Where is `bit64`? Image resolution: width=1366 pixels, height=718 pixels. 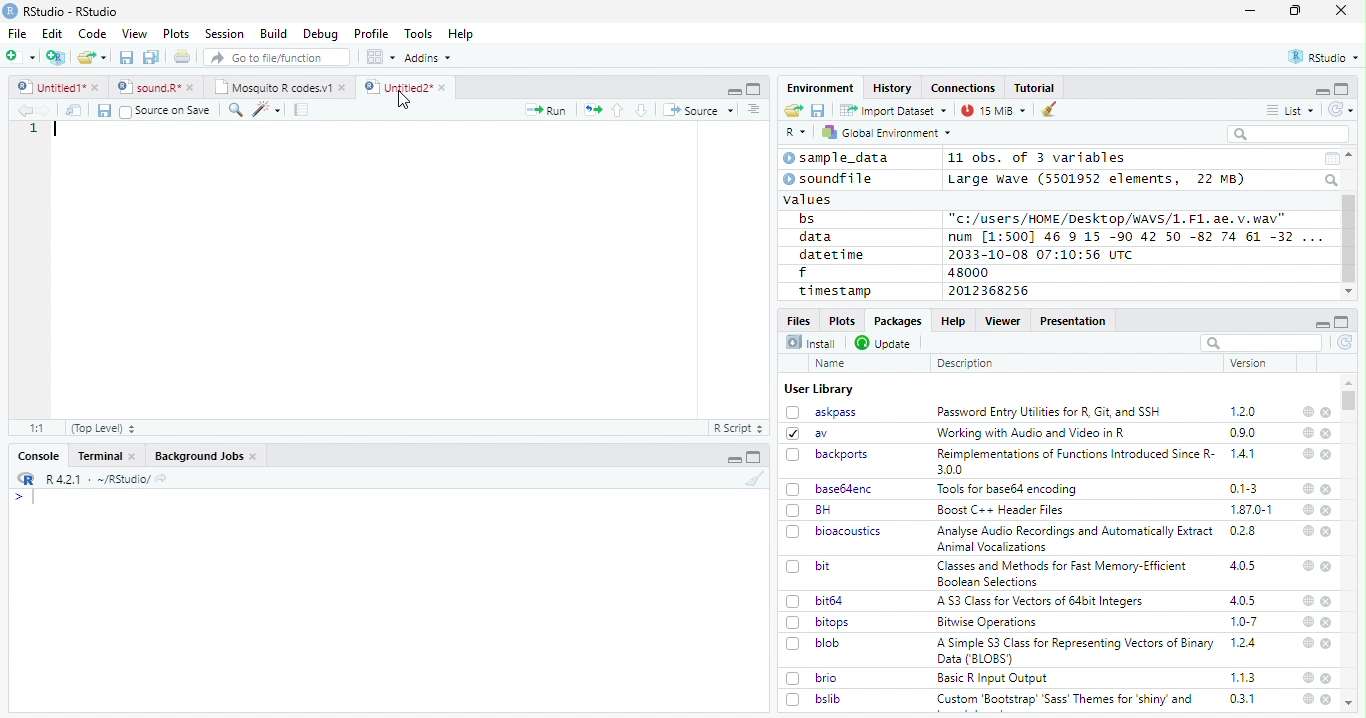
bit64 is located at coordinates (815, 601).